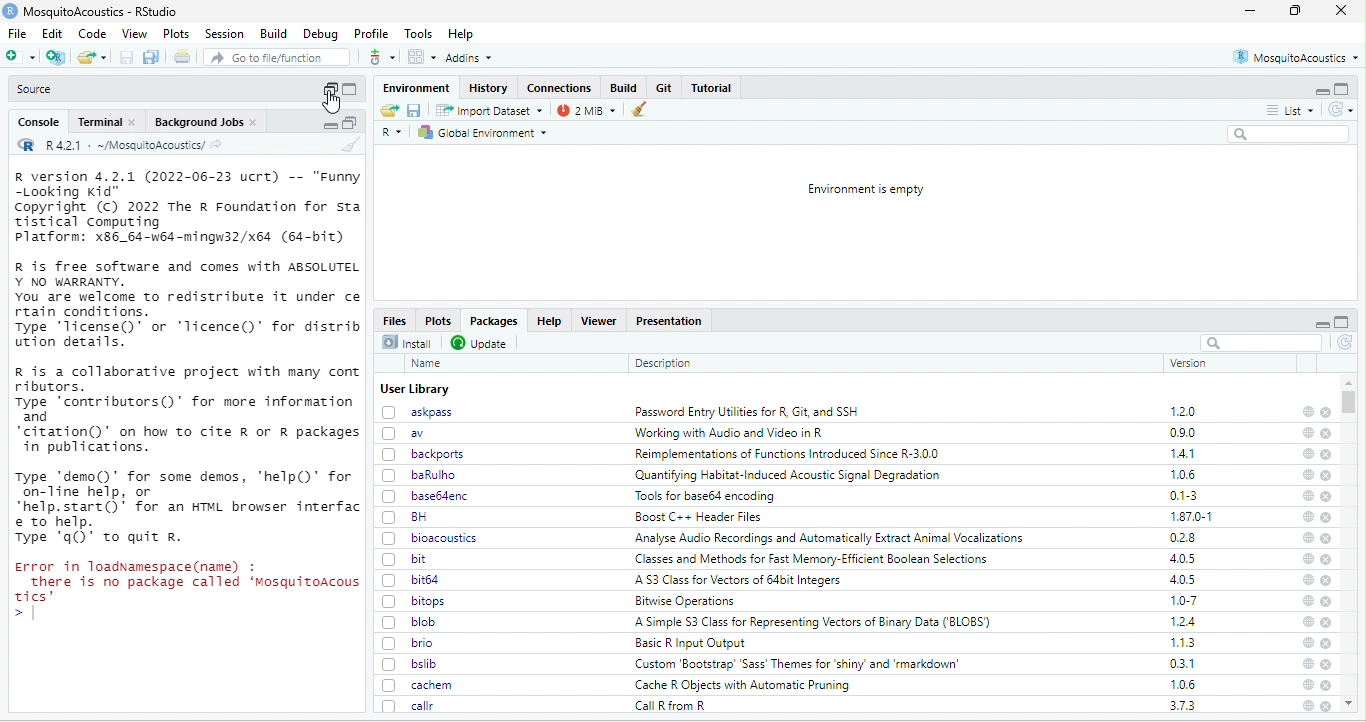  Describe the element at coordinates (10, 11) in the screenshot. I see `logo` at that location.